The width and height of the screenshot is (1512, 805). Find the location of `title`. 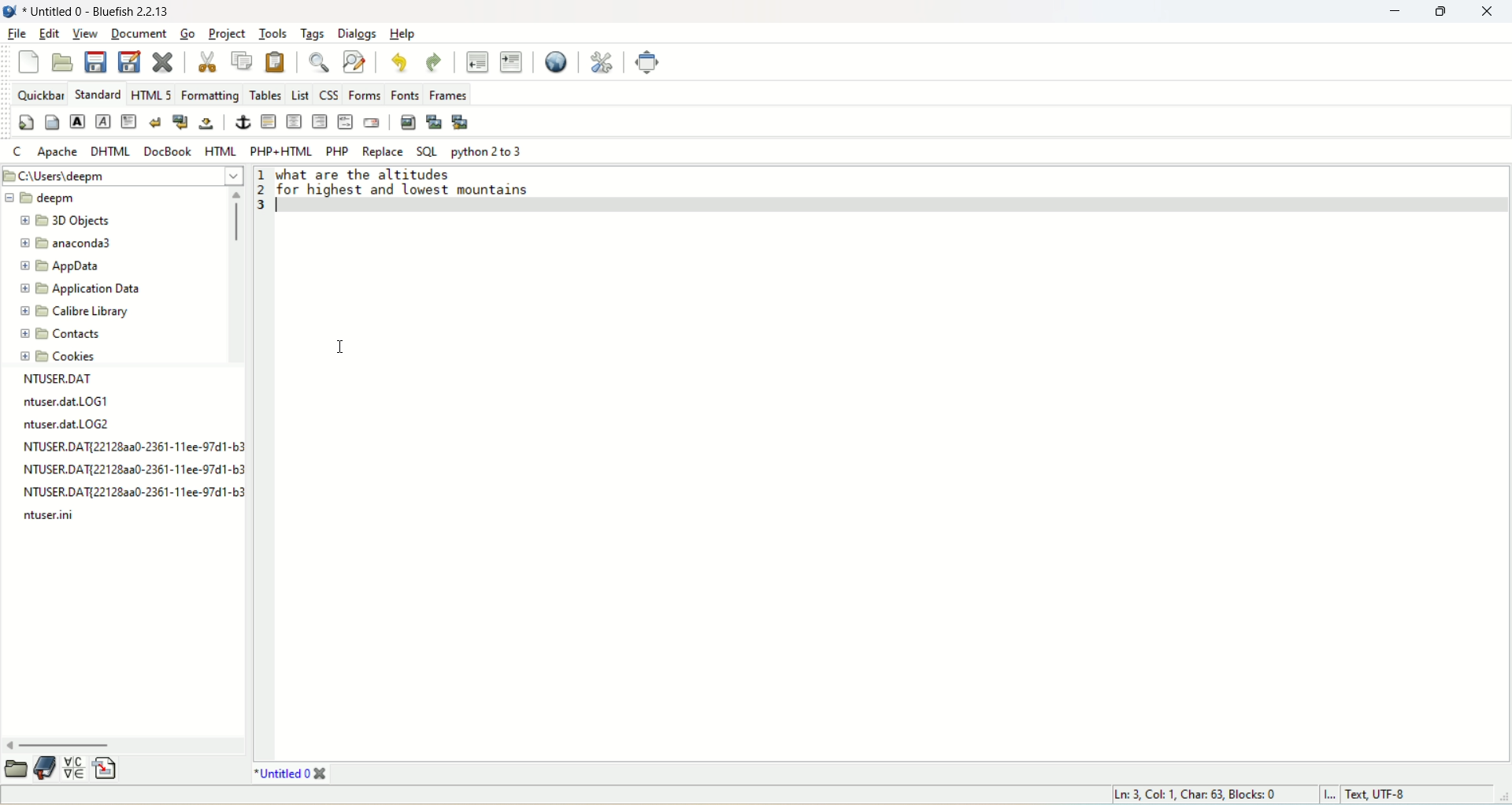

title is located at coordinates (289, 774).